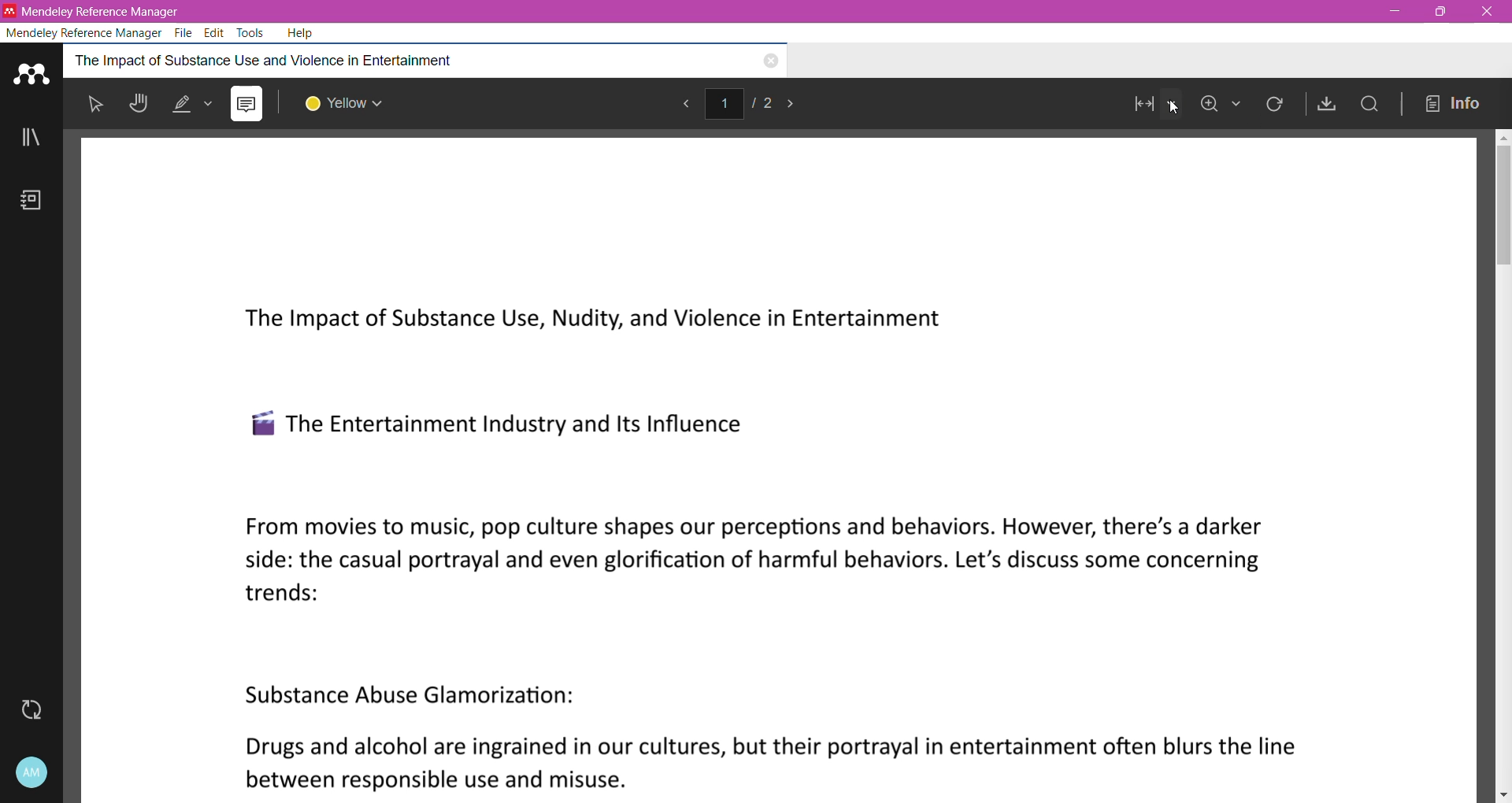  What do you see at coordinates (776, 470) in the screenshot?
I see `Current Page in Default fit to width View` at bounding box center [776, 470].